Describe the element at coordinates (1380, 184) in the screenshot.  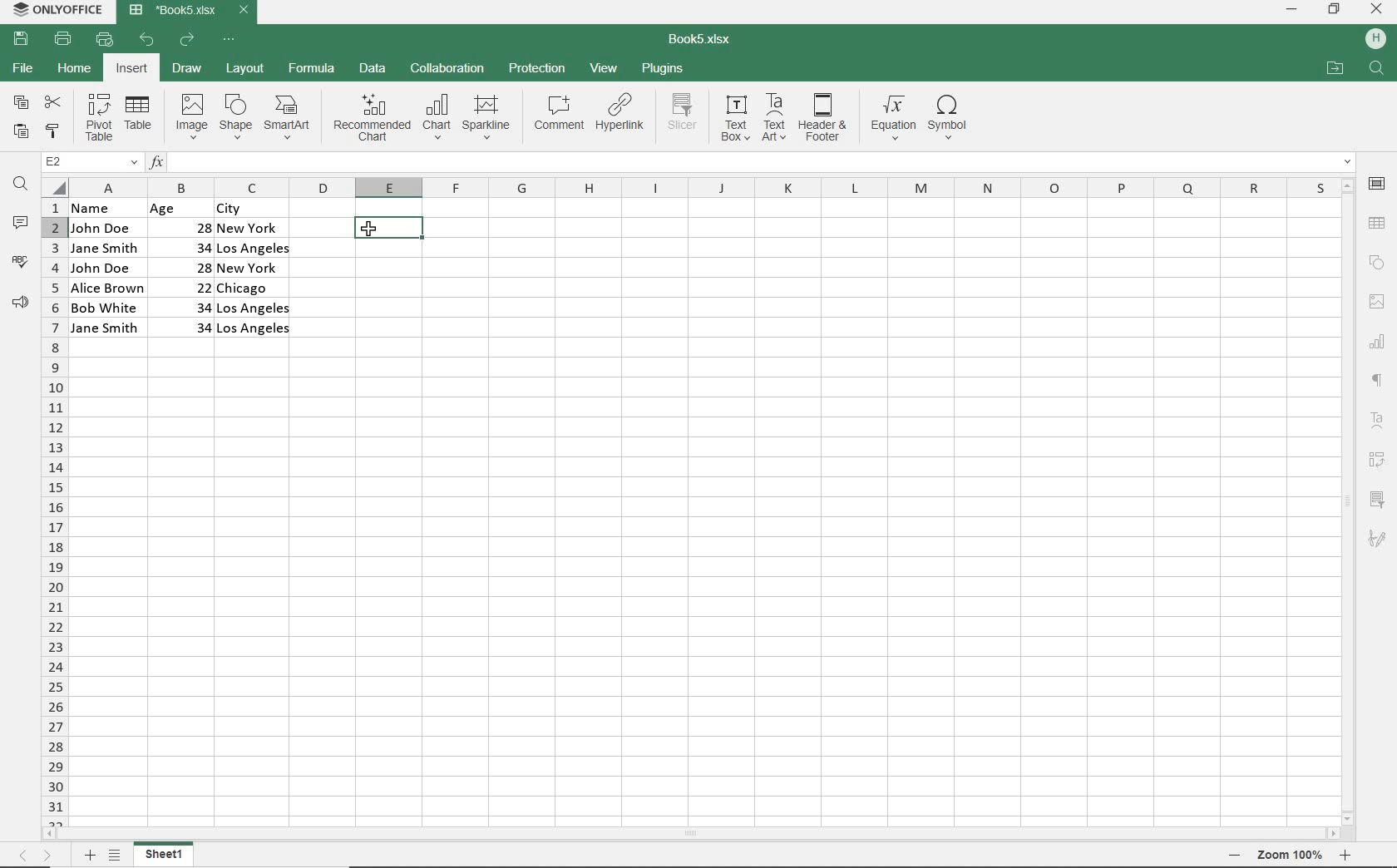
I see `CELL SETTINGS` at that location.